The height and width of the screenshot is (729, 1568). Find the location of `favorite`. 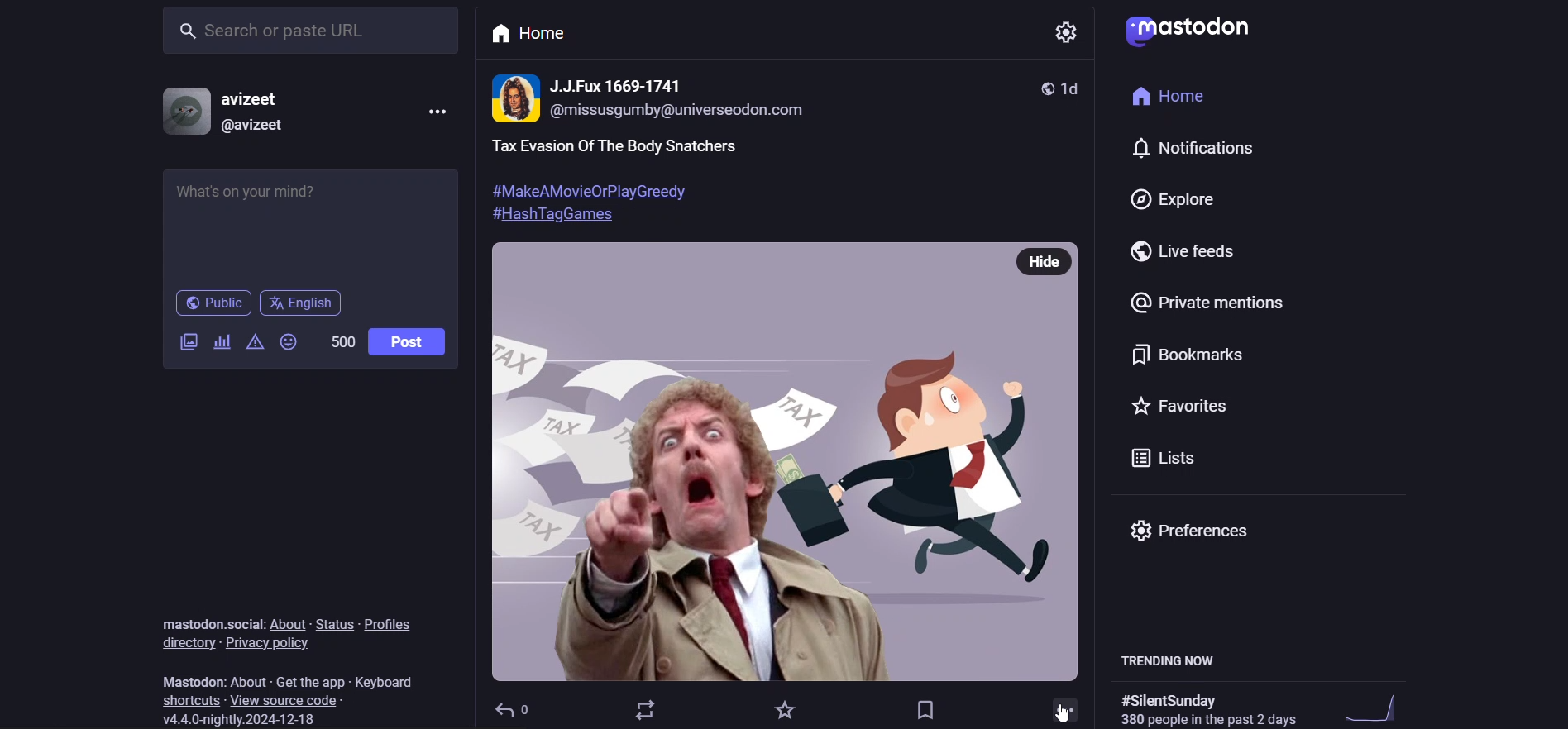

favorite is located at coordinates (1190, 406).